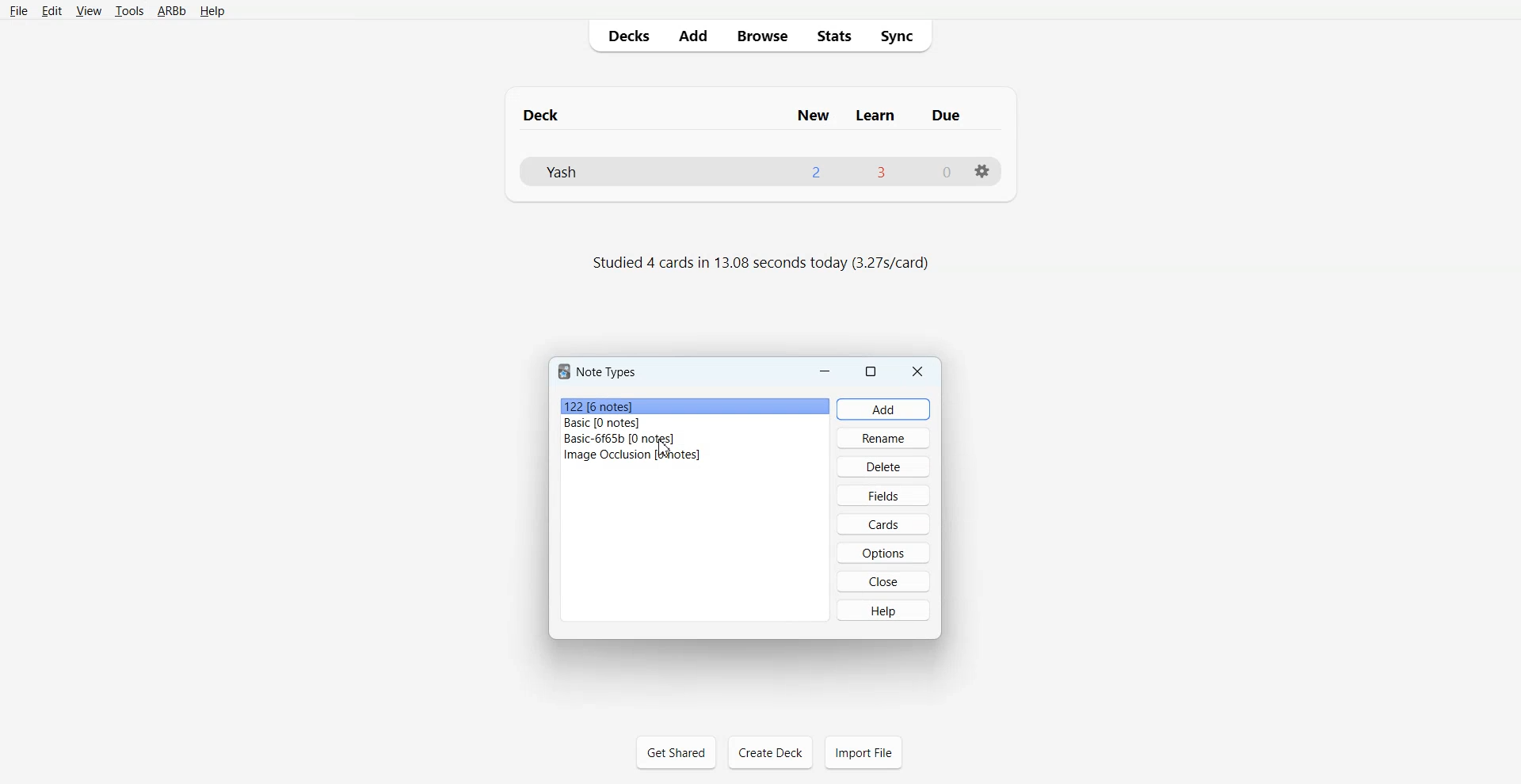 This screenshot has width=1521, height=784. Describe the element at coordinates (695, 440) in the screenshot. I see `Basic` at that location.